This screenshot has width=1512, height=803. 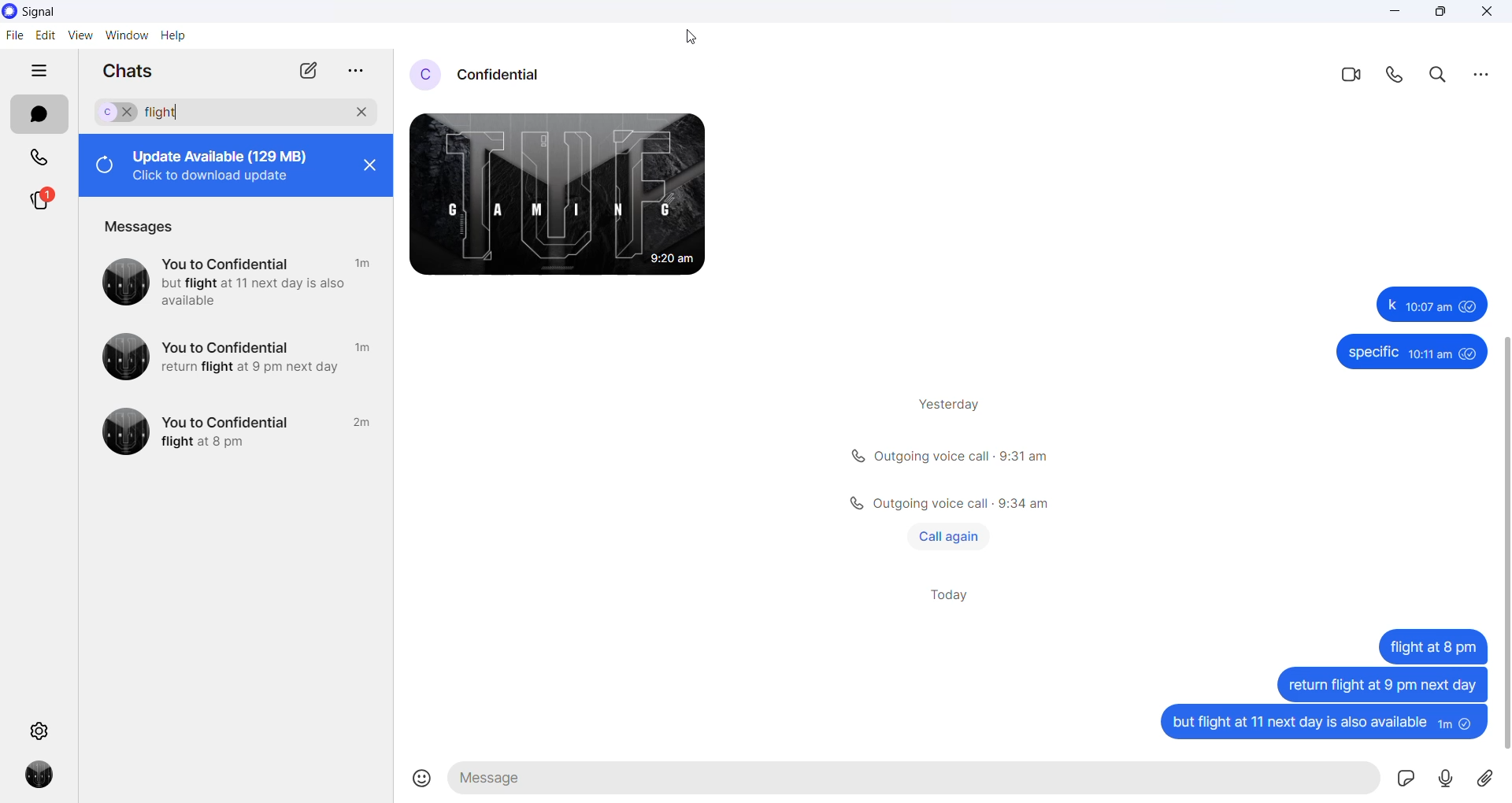 I want to click on more options, so click(x=1481, y=72).